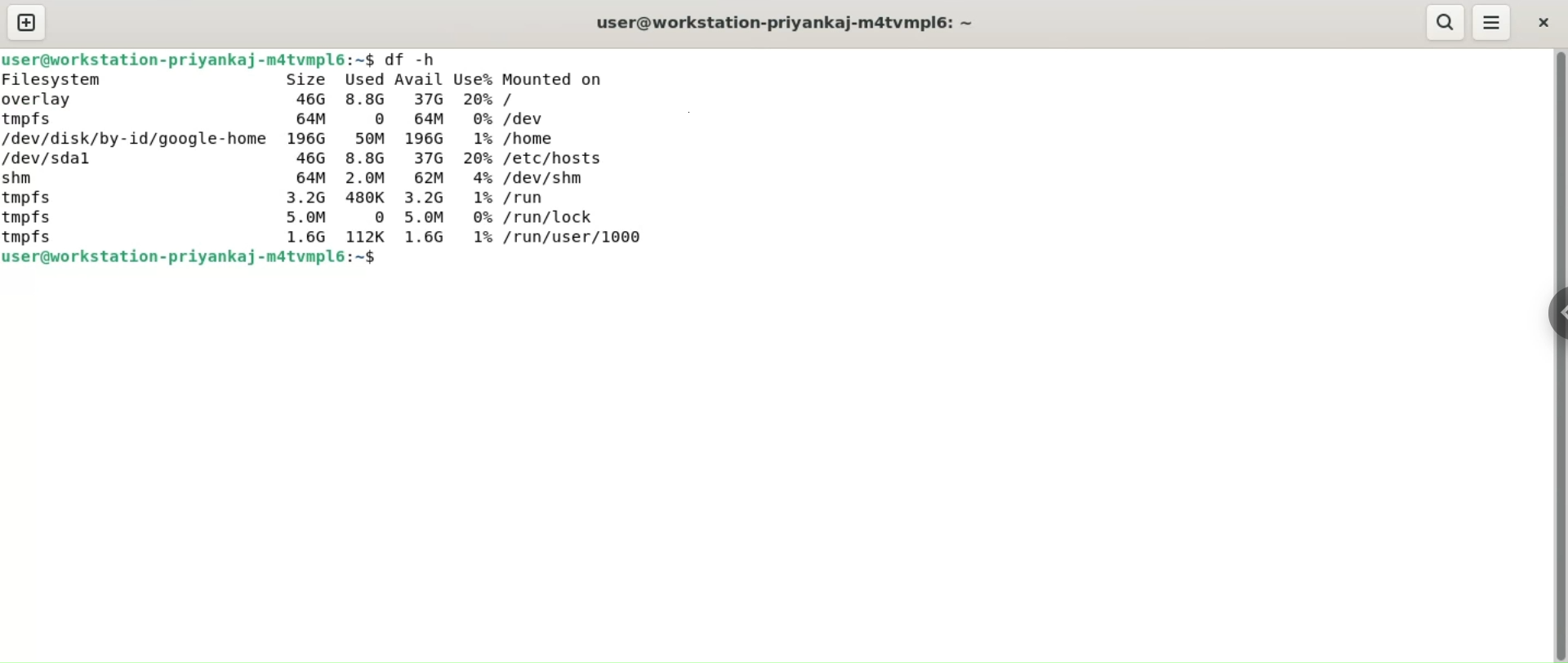  Describe the element at coordinates (415, 59) in the screenshot. I see `df -h` at that location.